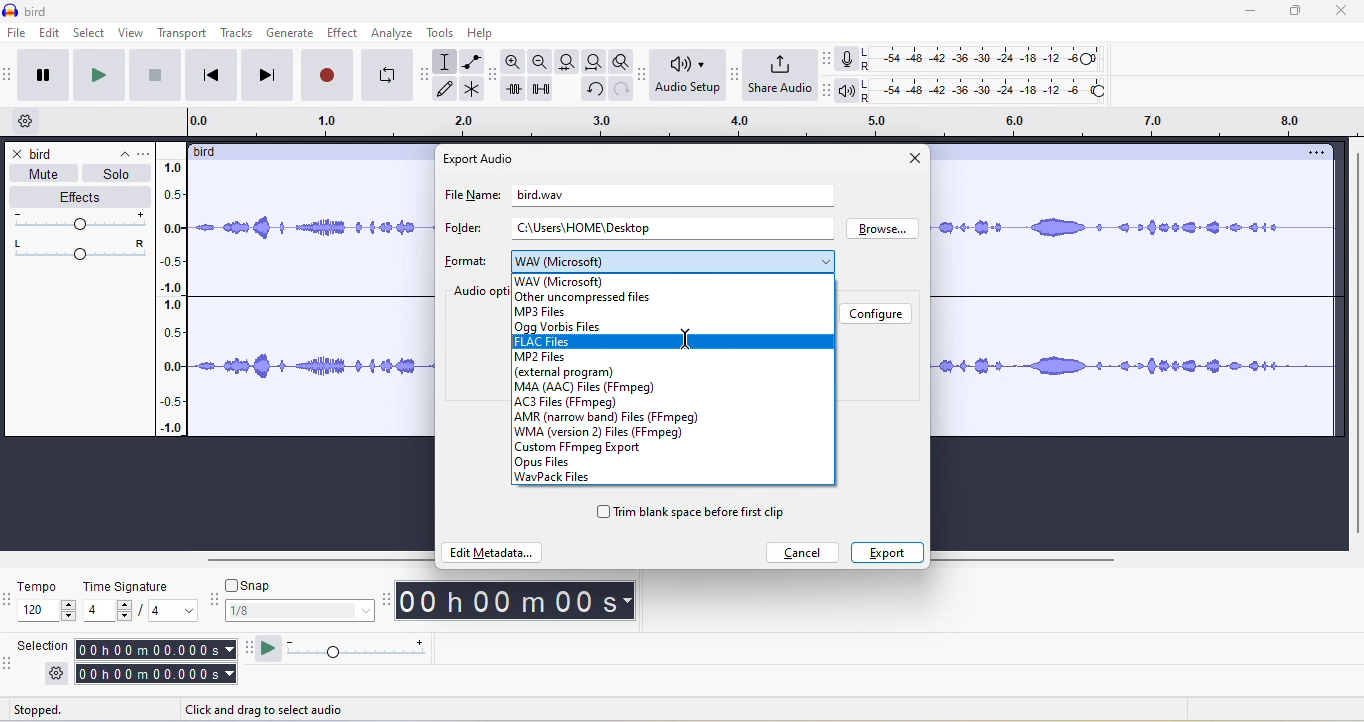  What do you see at coordinates (888, 231) in the screenshot?
I see `browse` at bounding box center [888, 231].